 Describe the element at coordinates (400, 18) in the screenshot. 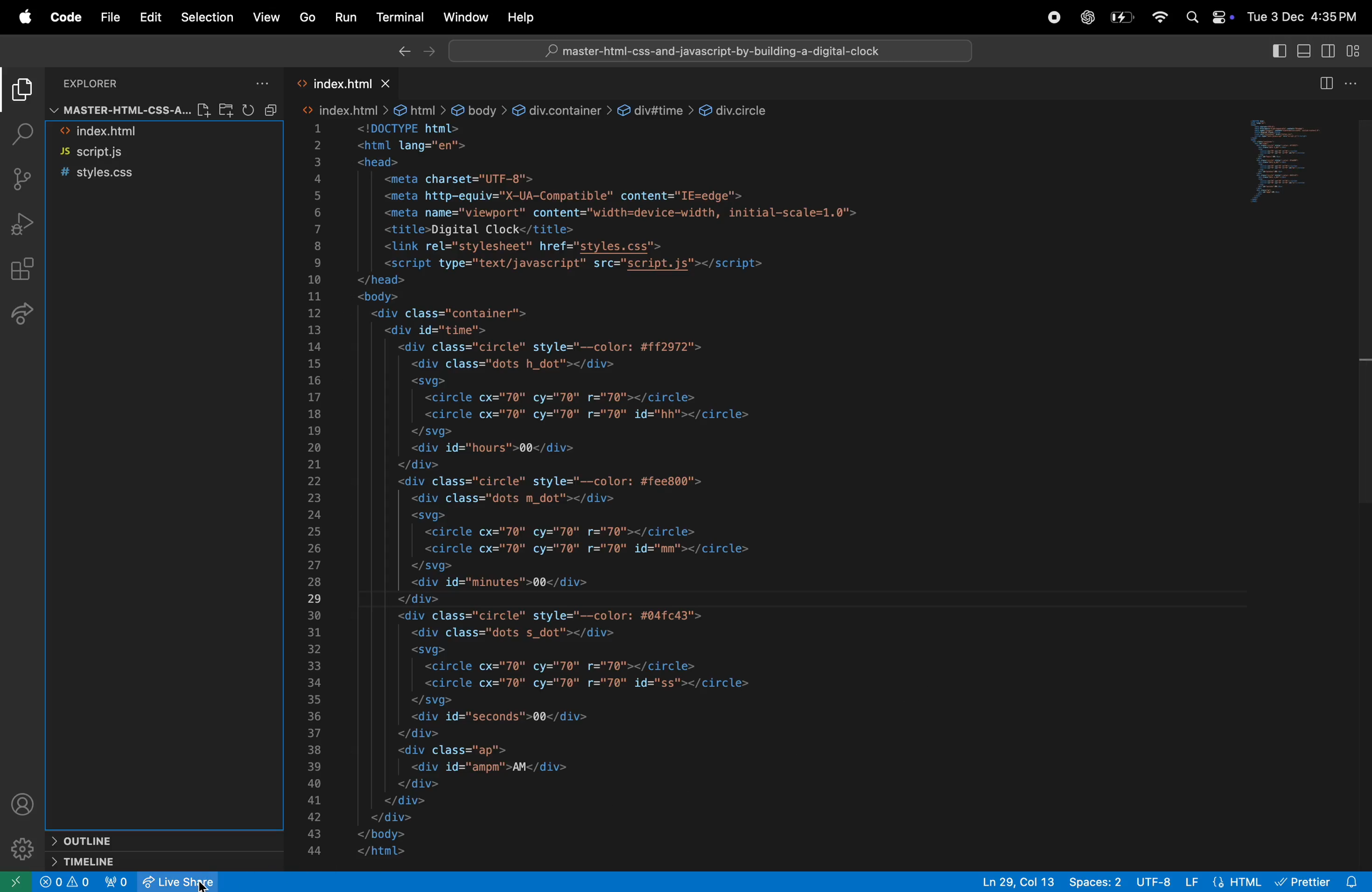

I see `terminal` at that location.